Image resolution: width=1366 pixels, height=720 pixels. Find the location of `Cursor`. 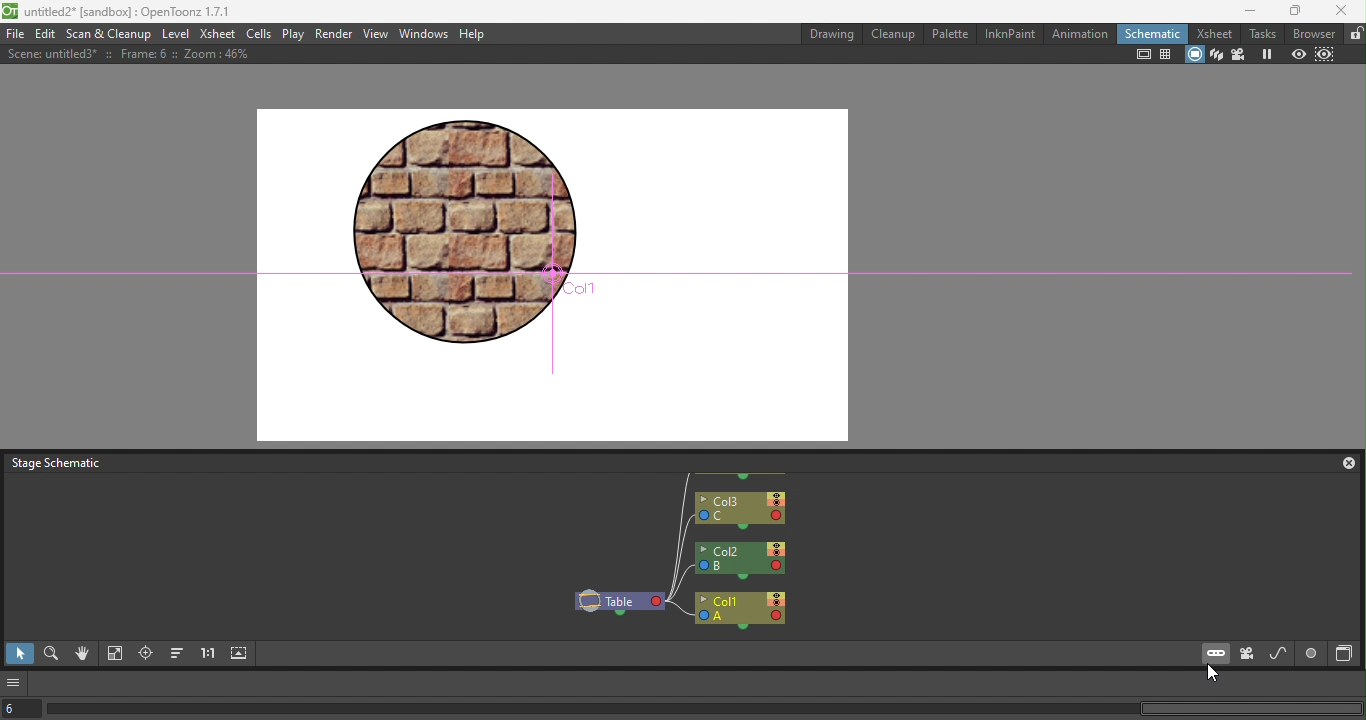

Cursor is located at coordinates (1209, 674).